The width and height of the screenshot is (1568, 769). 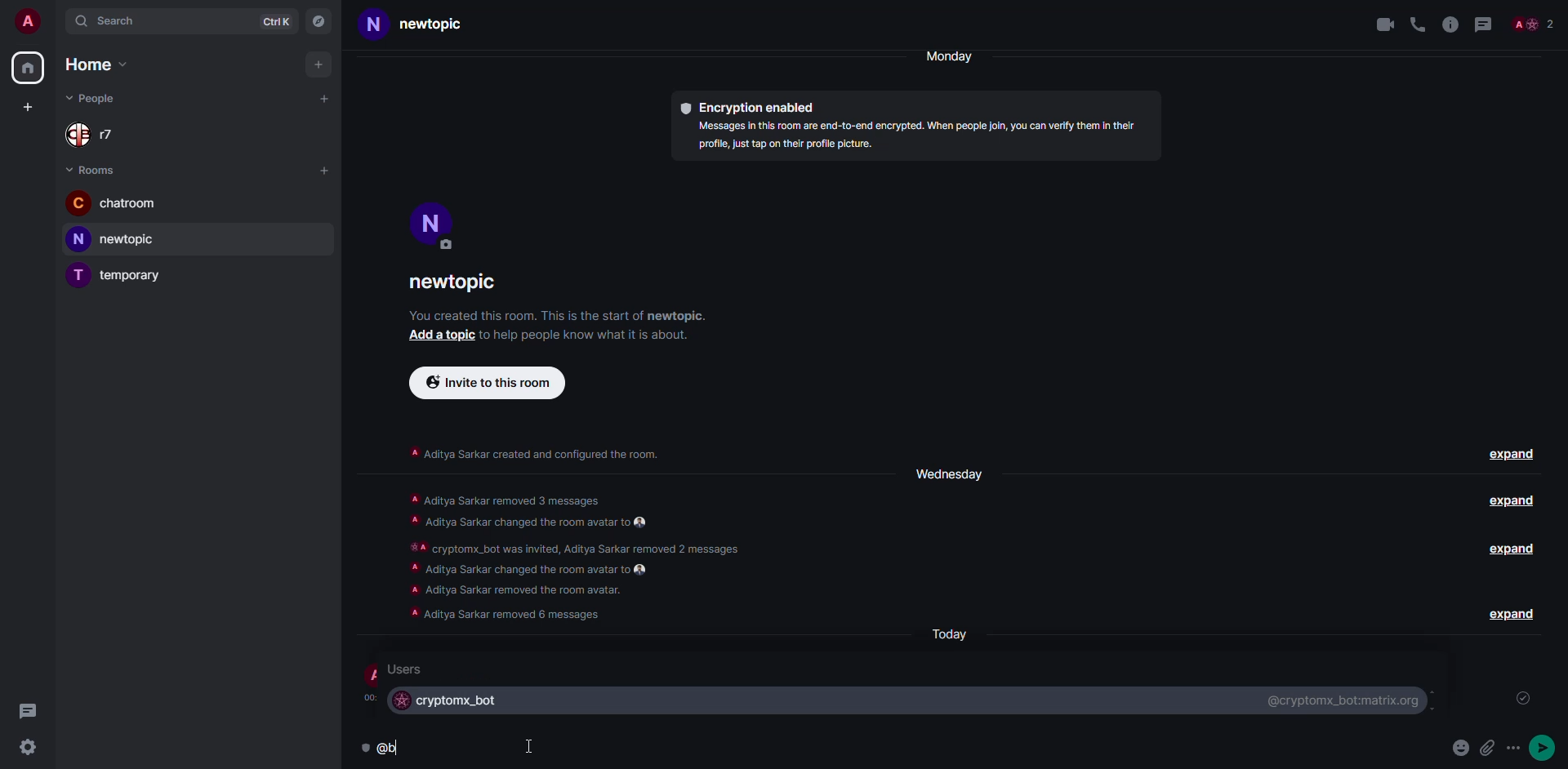 What do you see at coordinates (449, 700) in the screenshot?
I see `bot` at bounding box center [449, 700].